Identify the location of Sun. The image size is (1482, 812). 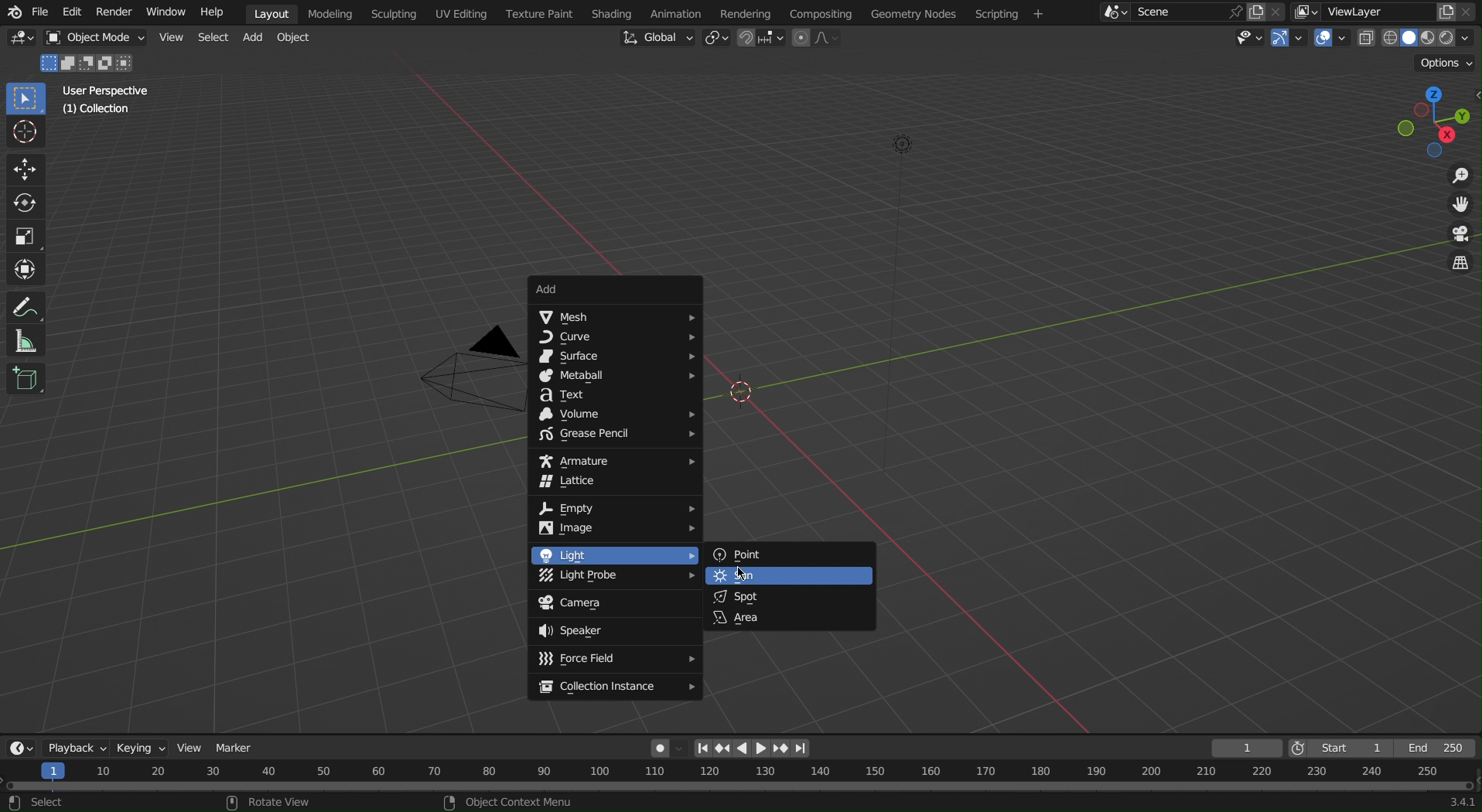
(790, 576).